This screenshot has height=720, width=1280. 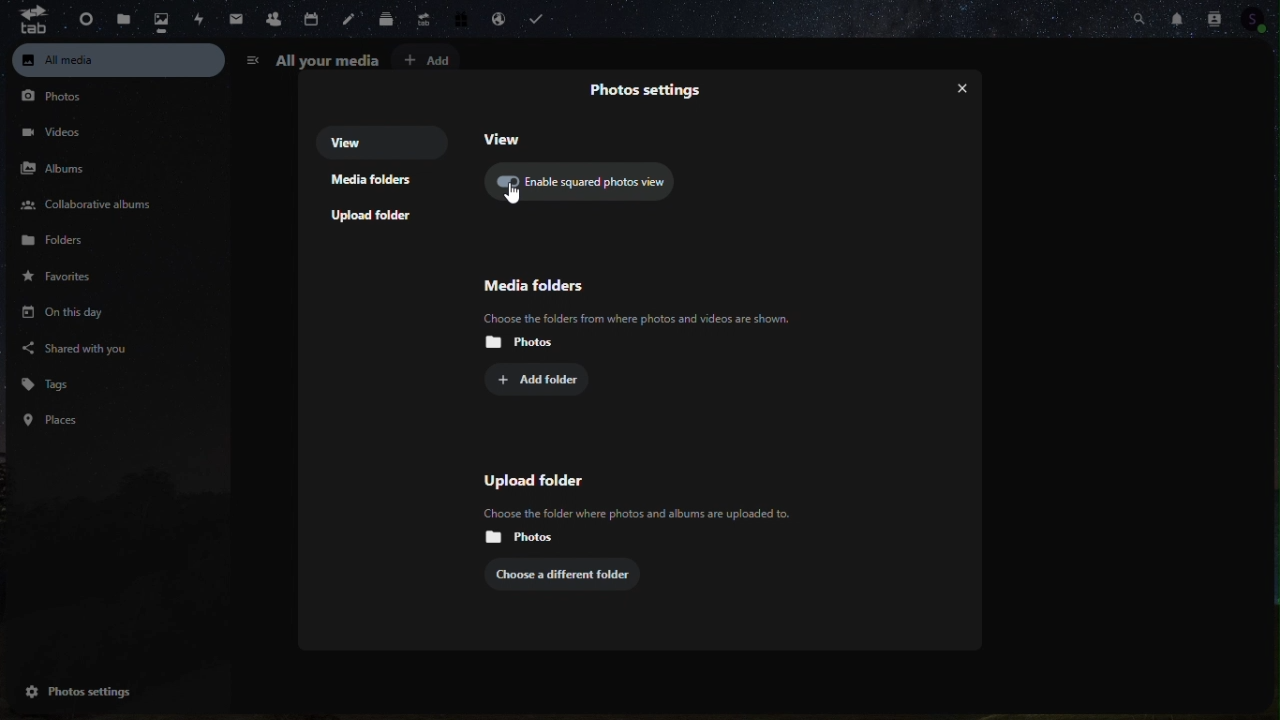 What do you see at coordinates (500, 19) in the screenshot?
I see `email handling` at bounding box center [500, 19].